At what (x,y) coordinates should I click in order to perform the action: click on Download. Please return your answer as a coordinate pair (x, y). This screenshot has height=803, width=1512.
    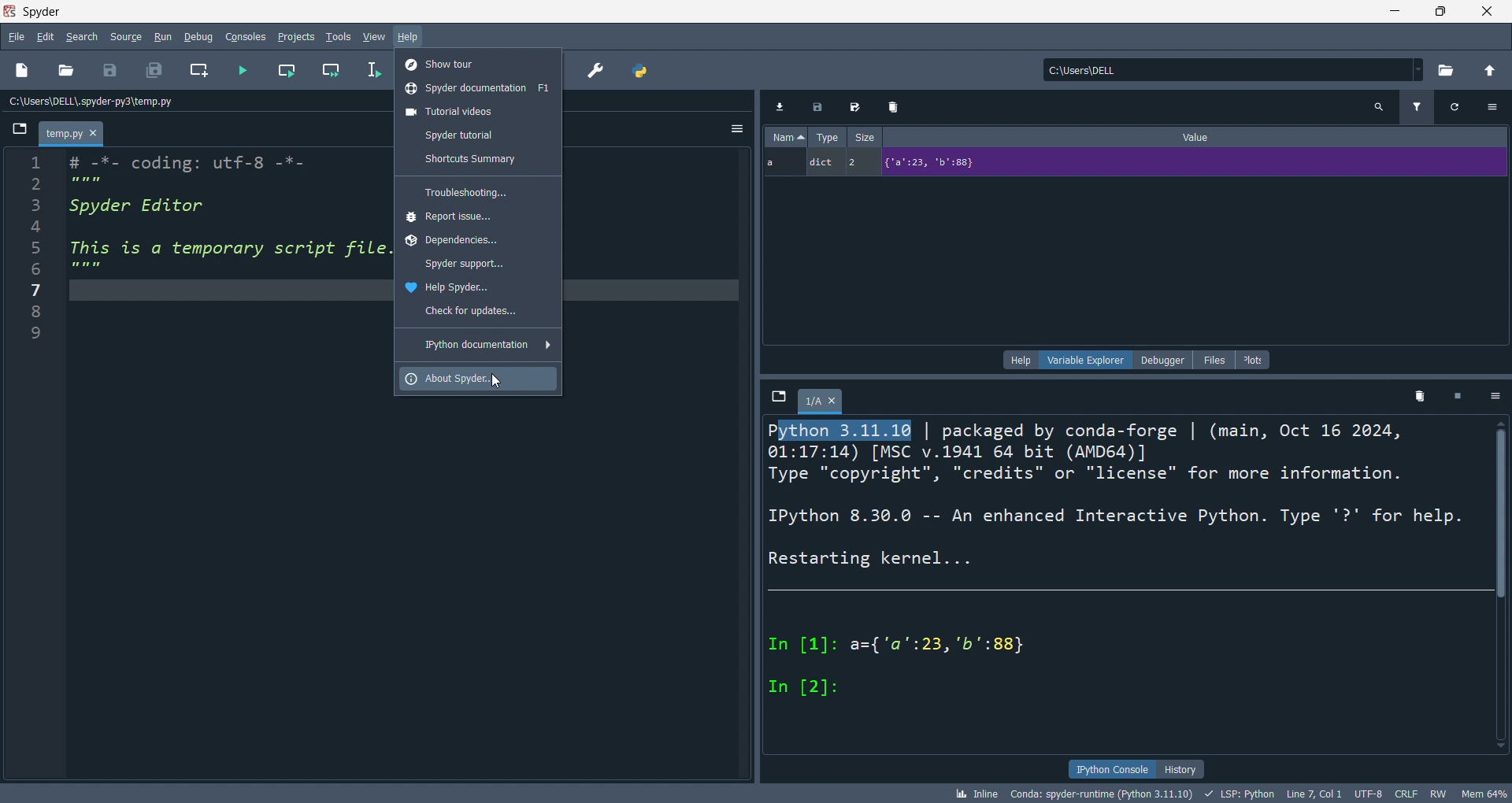
    Looking at the image, I should click on (779, 105).